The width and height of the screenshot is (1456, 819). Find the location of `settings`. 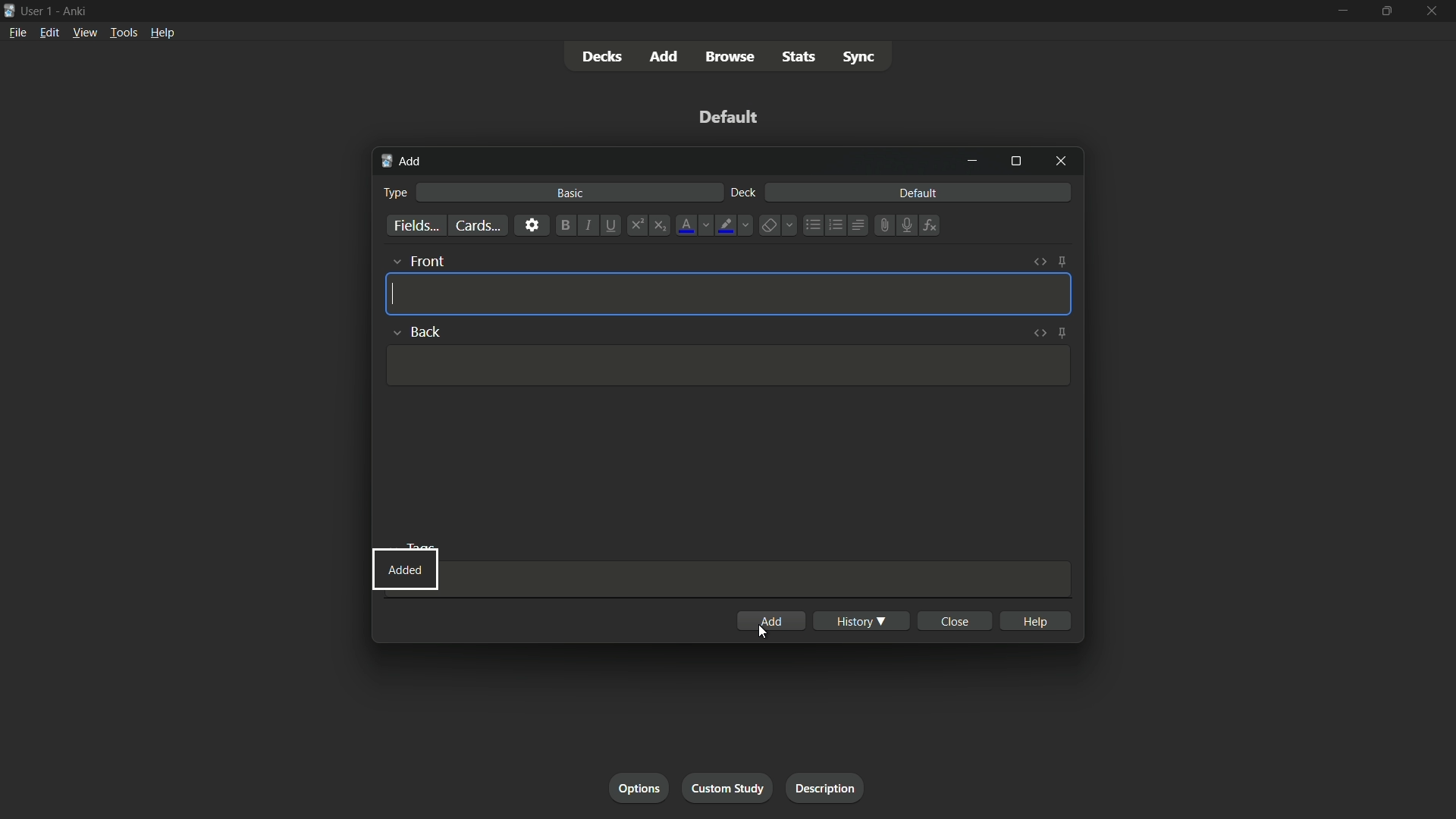

settings is located at coordinates (531, 225).